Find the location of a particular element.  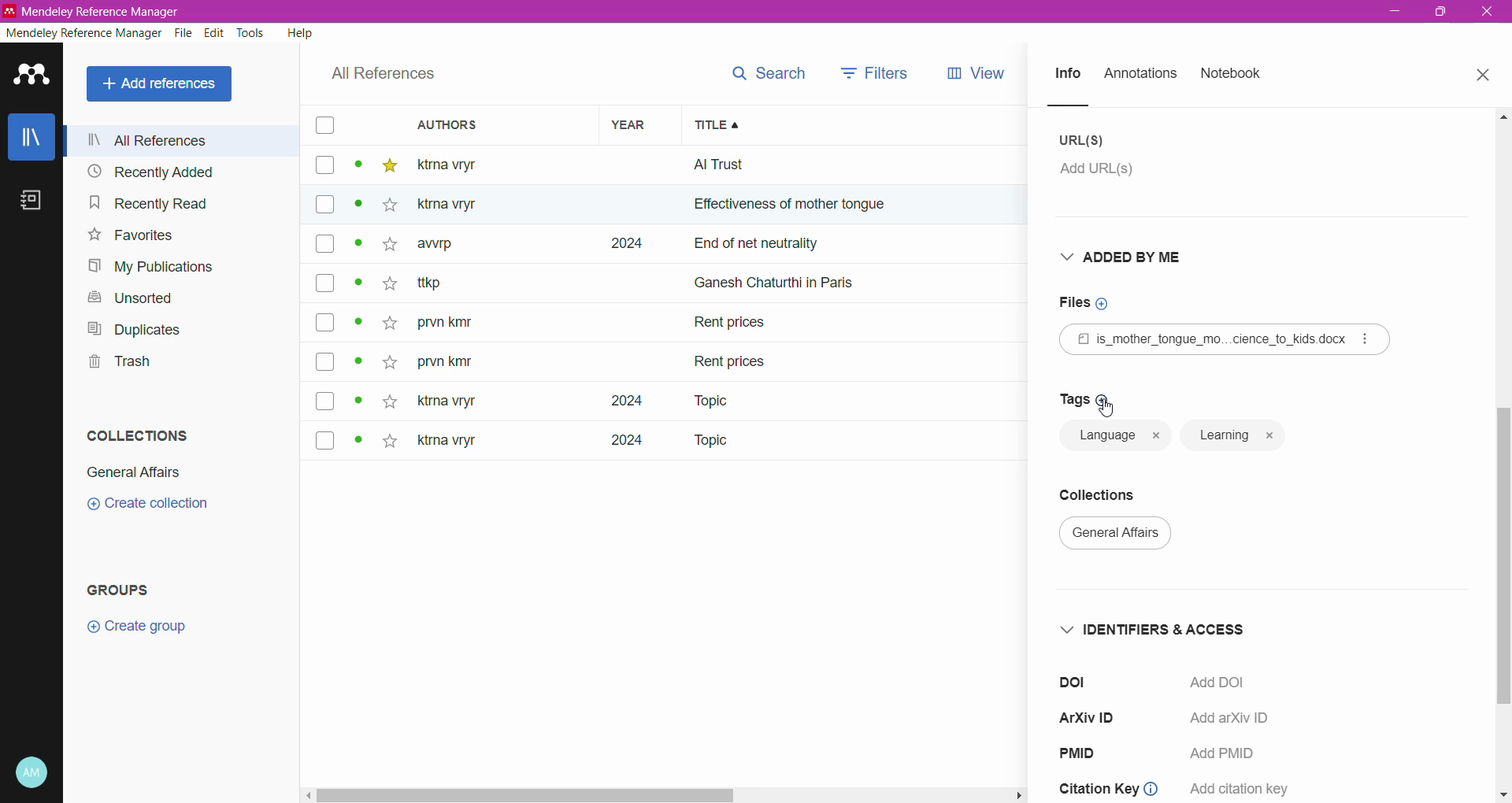

star is located at coordinates (389, 443).